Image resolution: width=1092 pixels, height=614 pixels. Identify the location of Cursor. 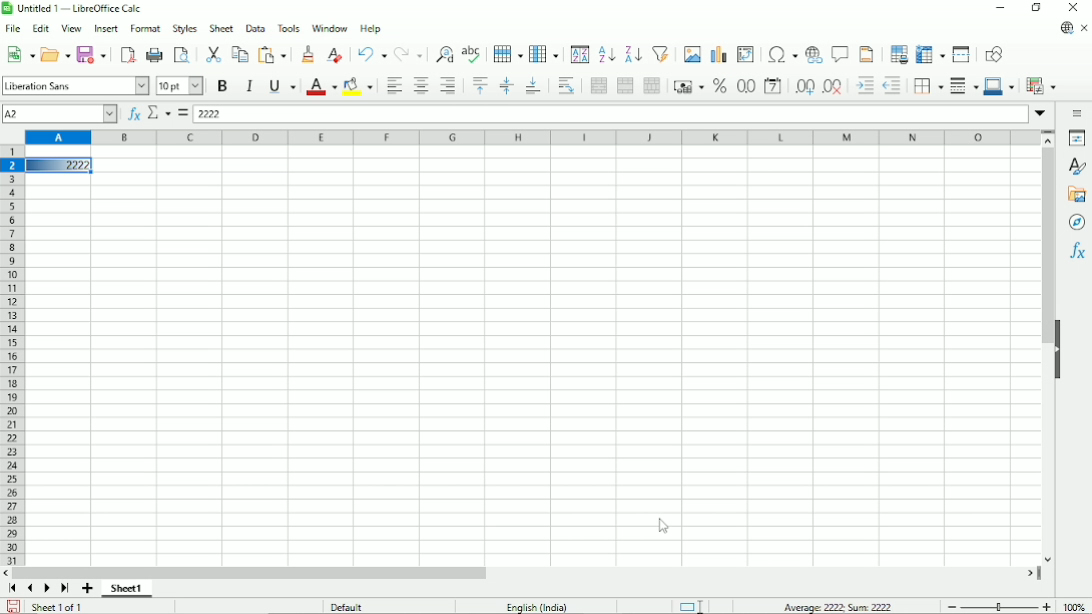
(664, 524).